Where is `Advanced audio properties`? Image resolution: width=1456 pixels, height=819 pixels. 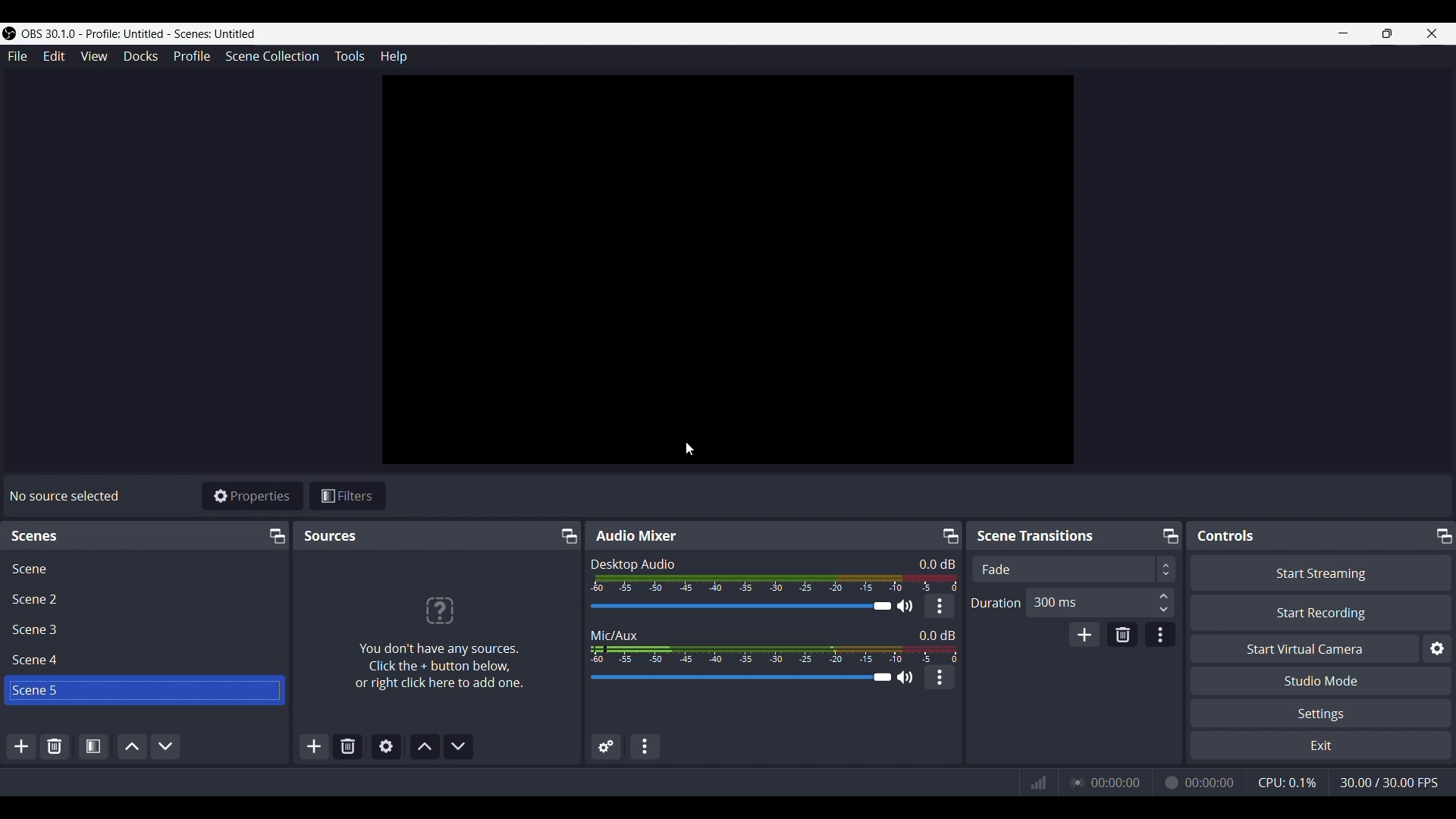 Advanced audio properties is located at coordinates (607, 745).